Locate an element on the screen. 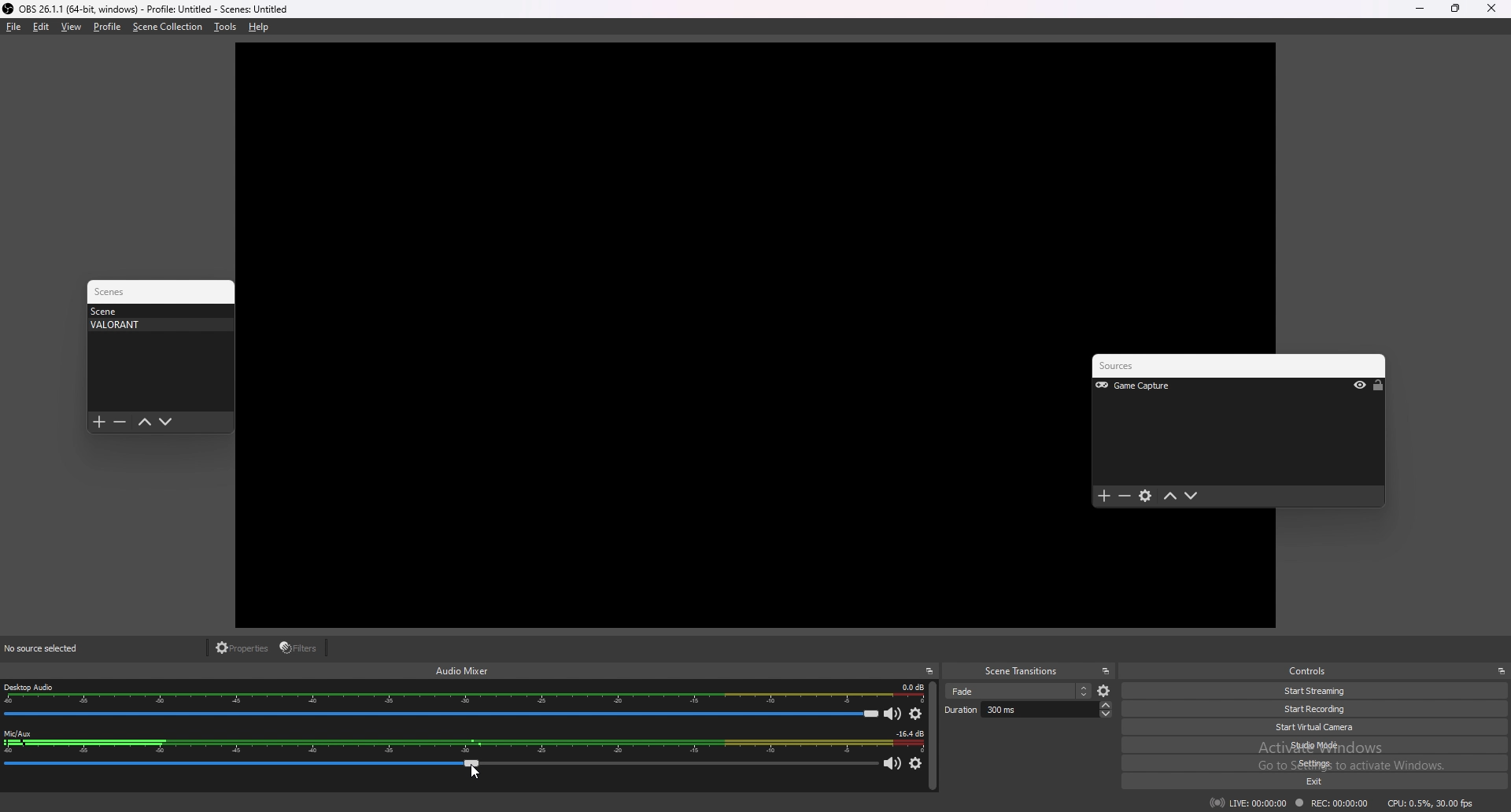  properties is located at coordinates (243, 648).